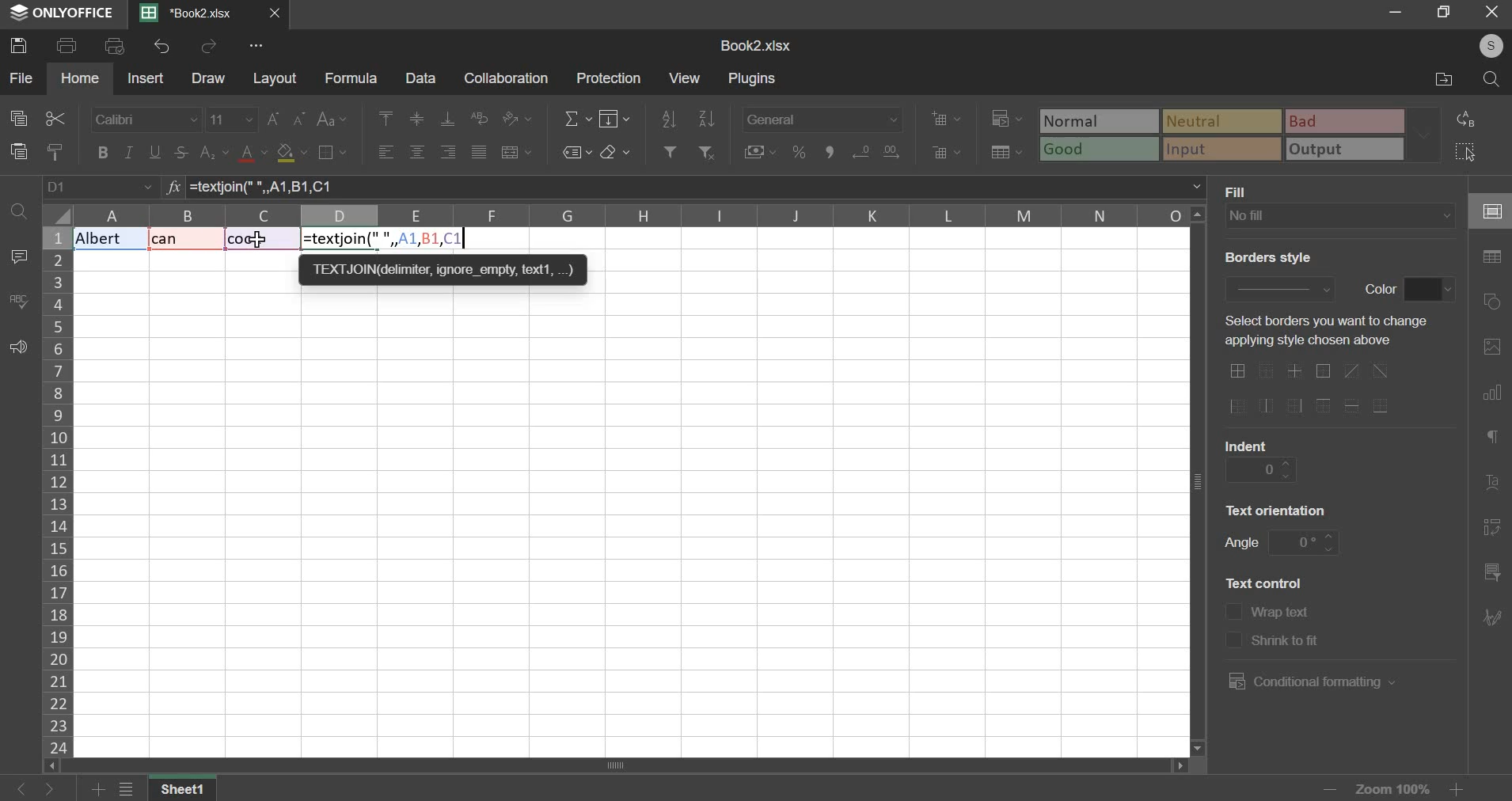  What do you see at coordinates (1491, 396) in the screenshot?
I see `chart` at bounding box center [1491, 396].